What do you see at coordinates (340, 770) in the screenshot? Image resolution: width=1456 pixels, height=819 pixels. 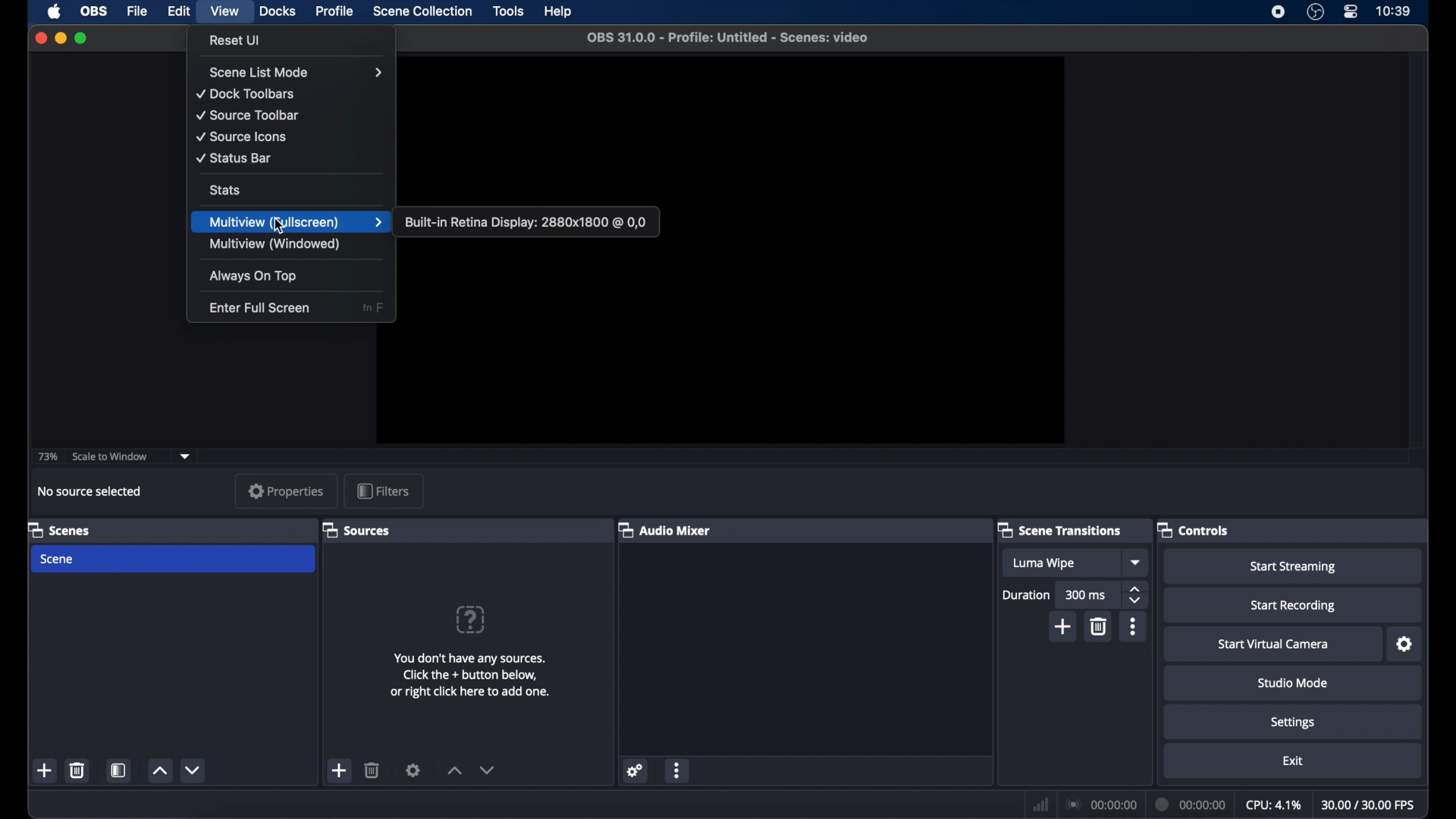 I see `add` at bounding box center [340, 770].